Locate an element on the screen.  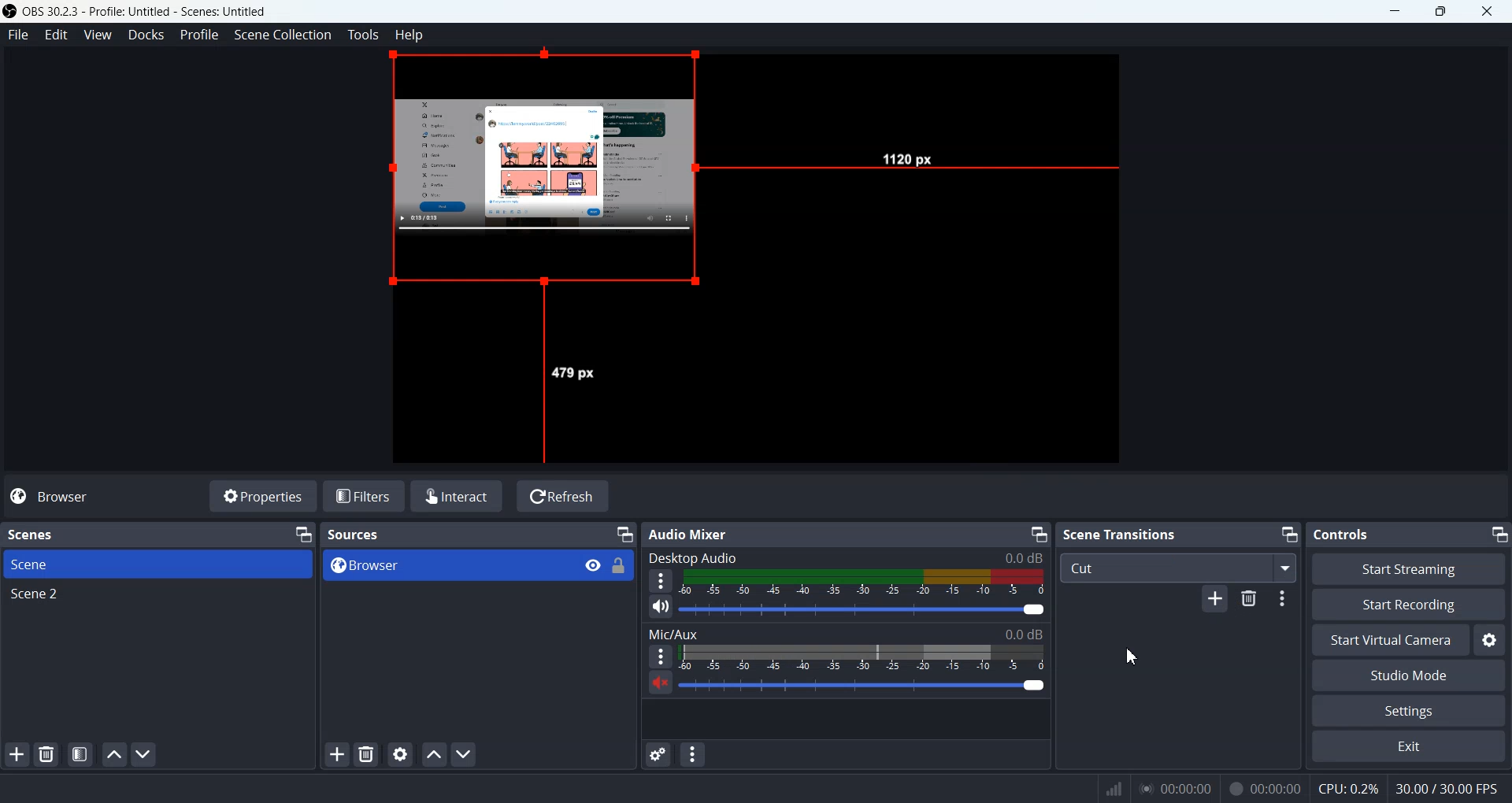
Delete selected scene is located at coordinates (46, 753).